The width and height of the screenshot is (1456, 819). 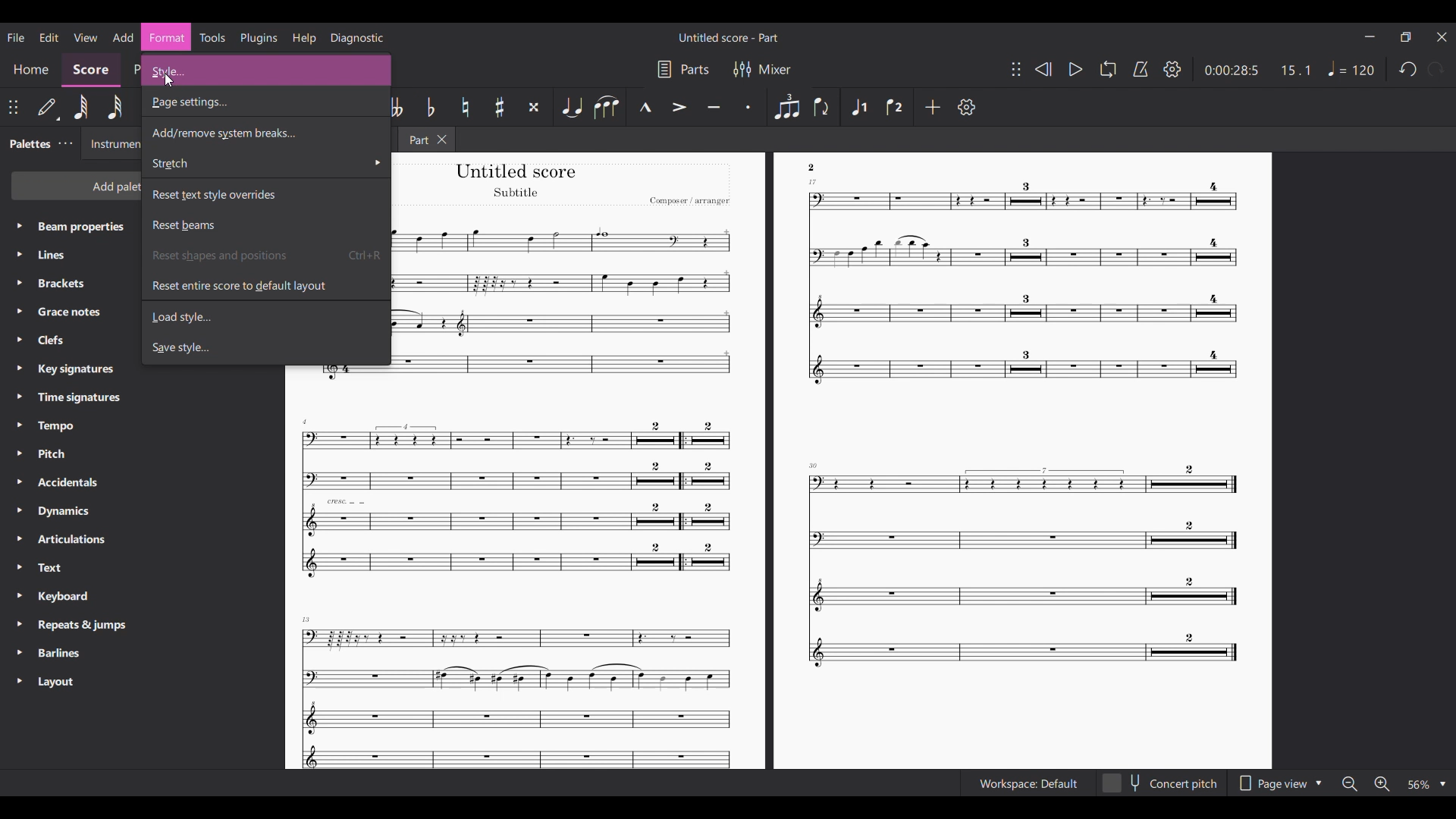 What do you see at coordinates (730, 37) in the screenshot?
I see `Untitled score - Part` at bounding box center [730, 37].